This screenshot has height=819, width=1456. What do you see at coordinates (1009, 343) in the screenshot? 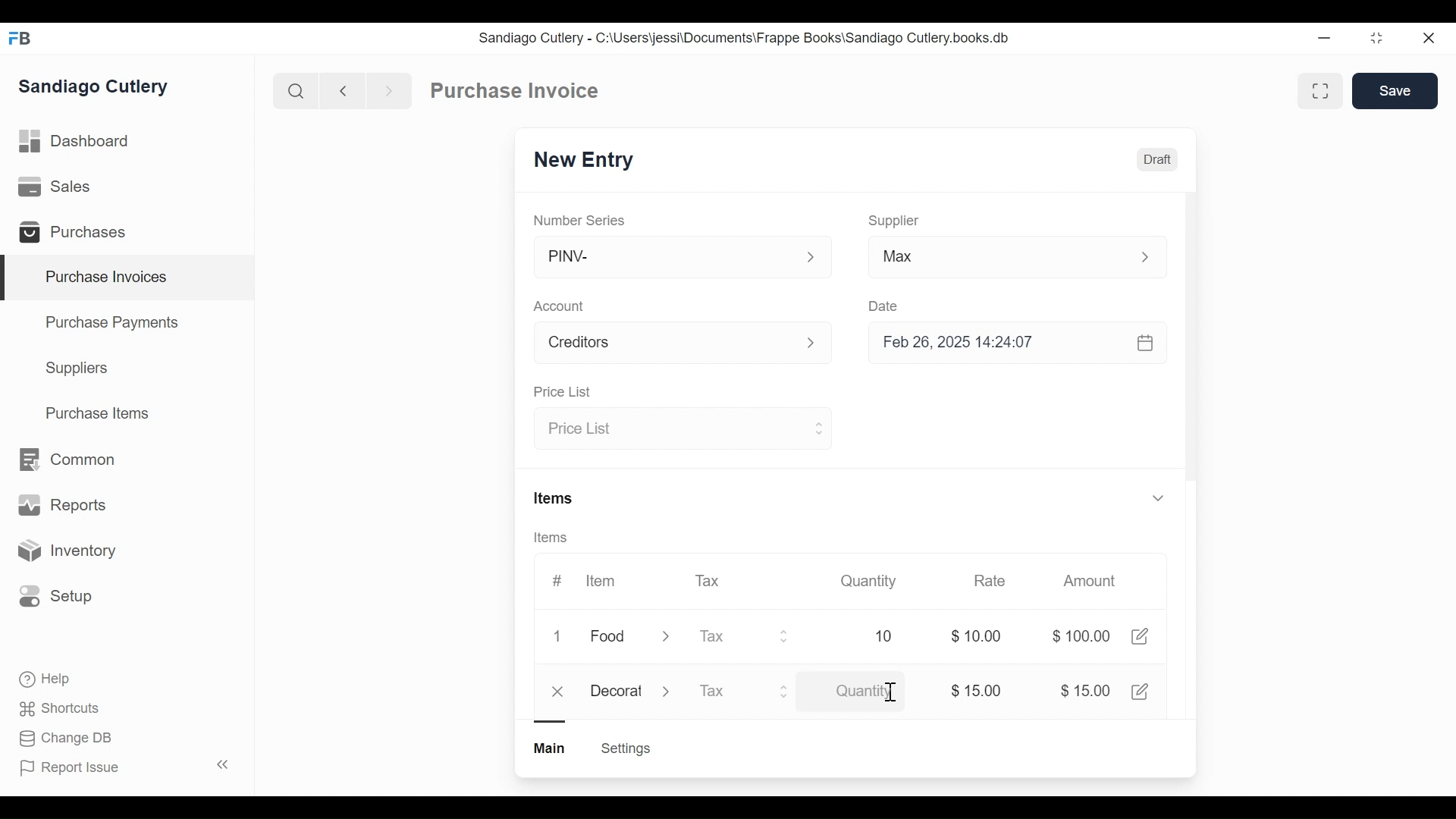
I see `Feb 26, 2025 14:24:07` at bounding box center [1009, 343].